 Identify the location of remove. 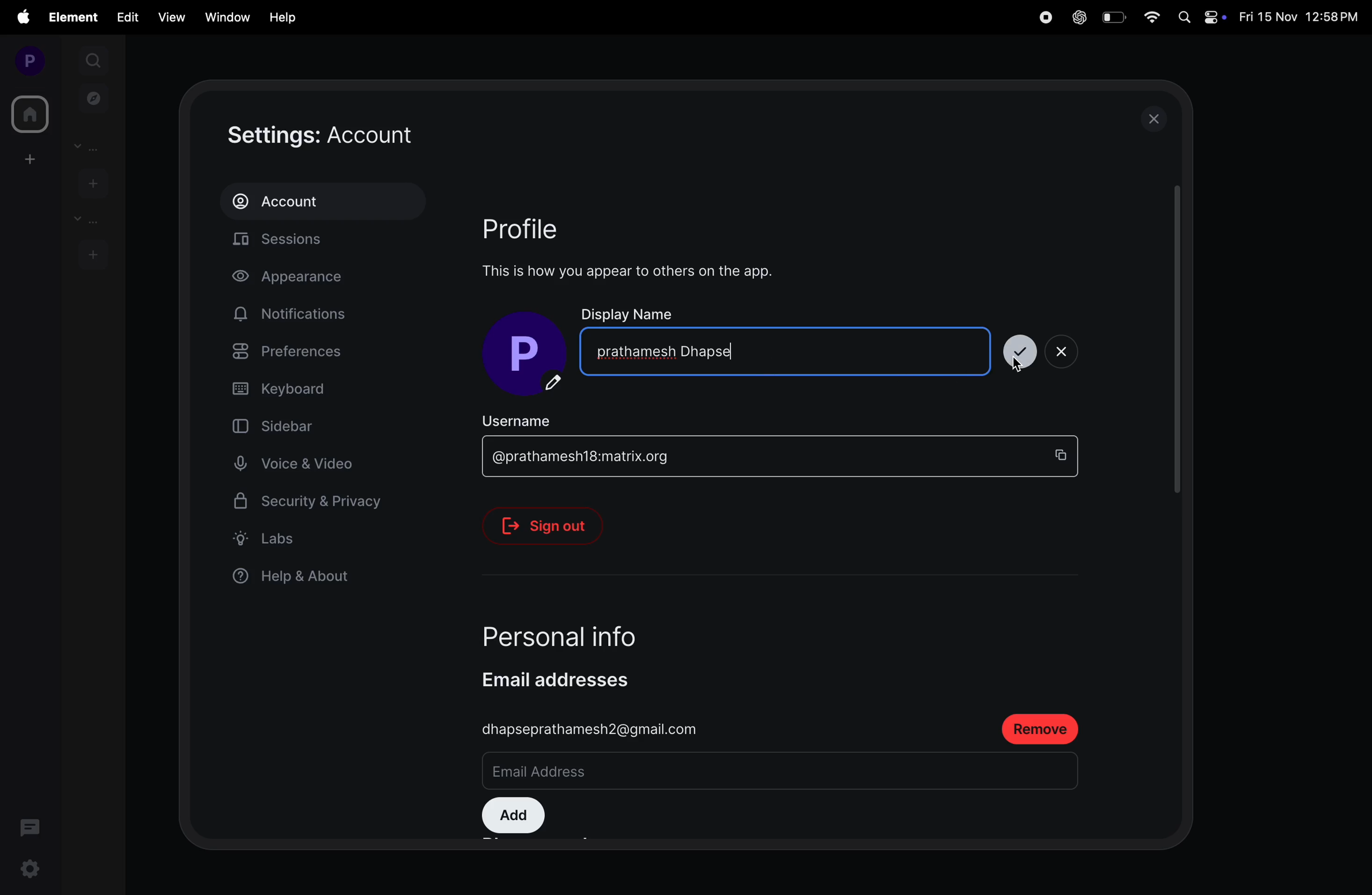
(1043, 729).